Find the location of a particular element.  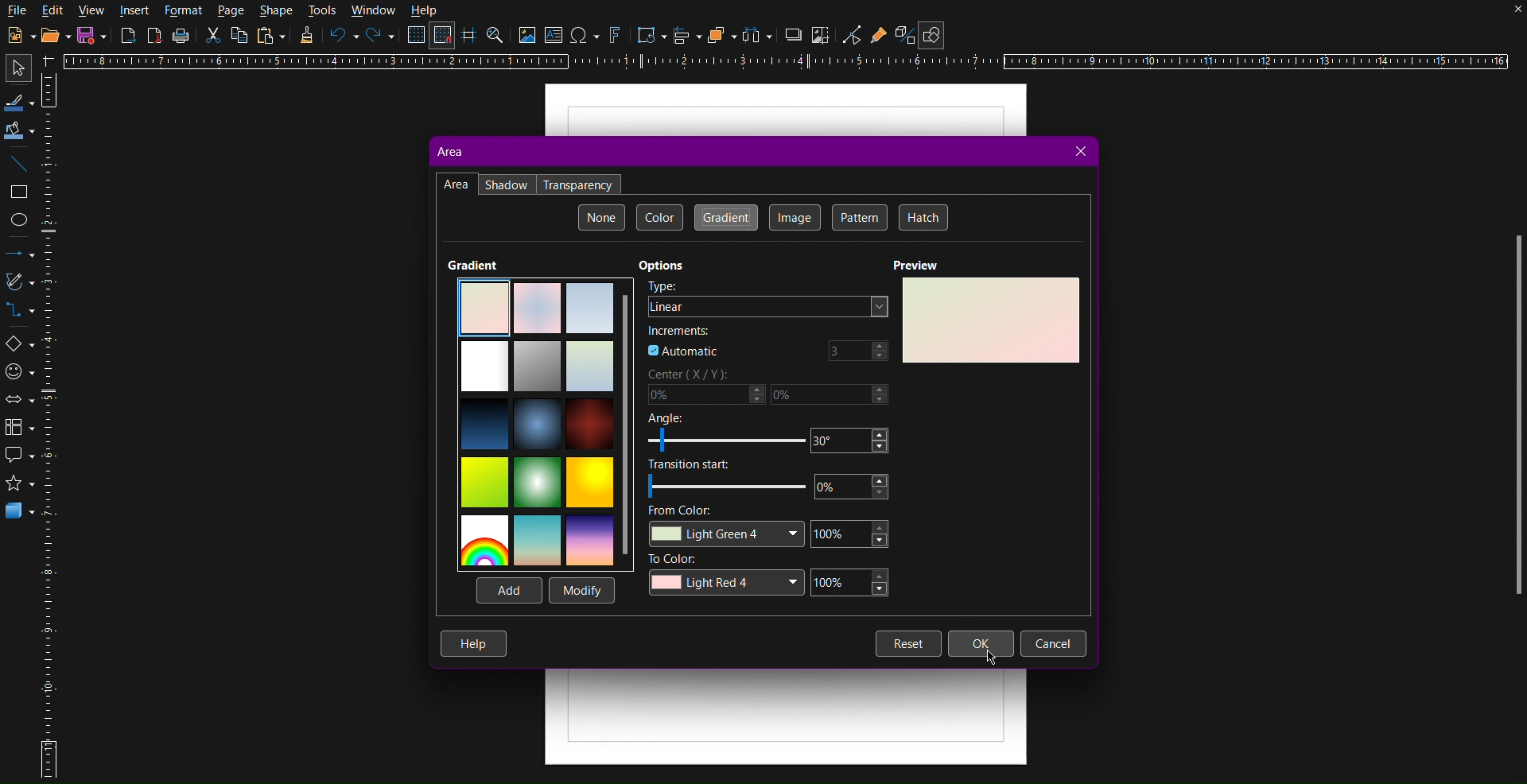

Hatch is located at coordinates (921, 216).